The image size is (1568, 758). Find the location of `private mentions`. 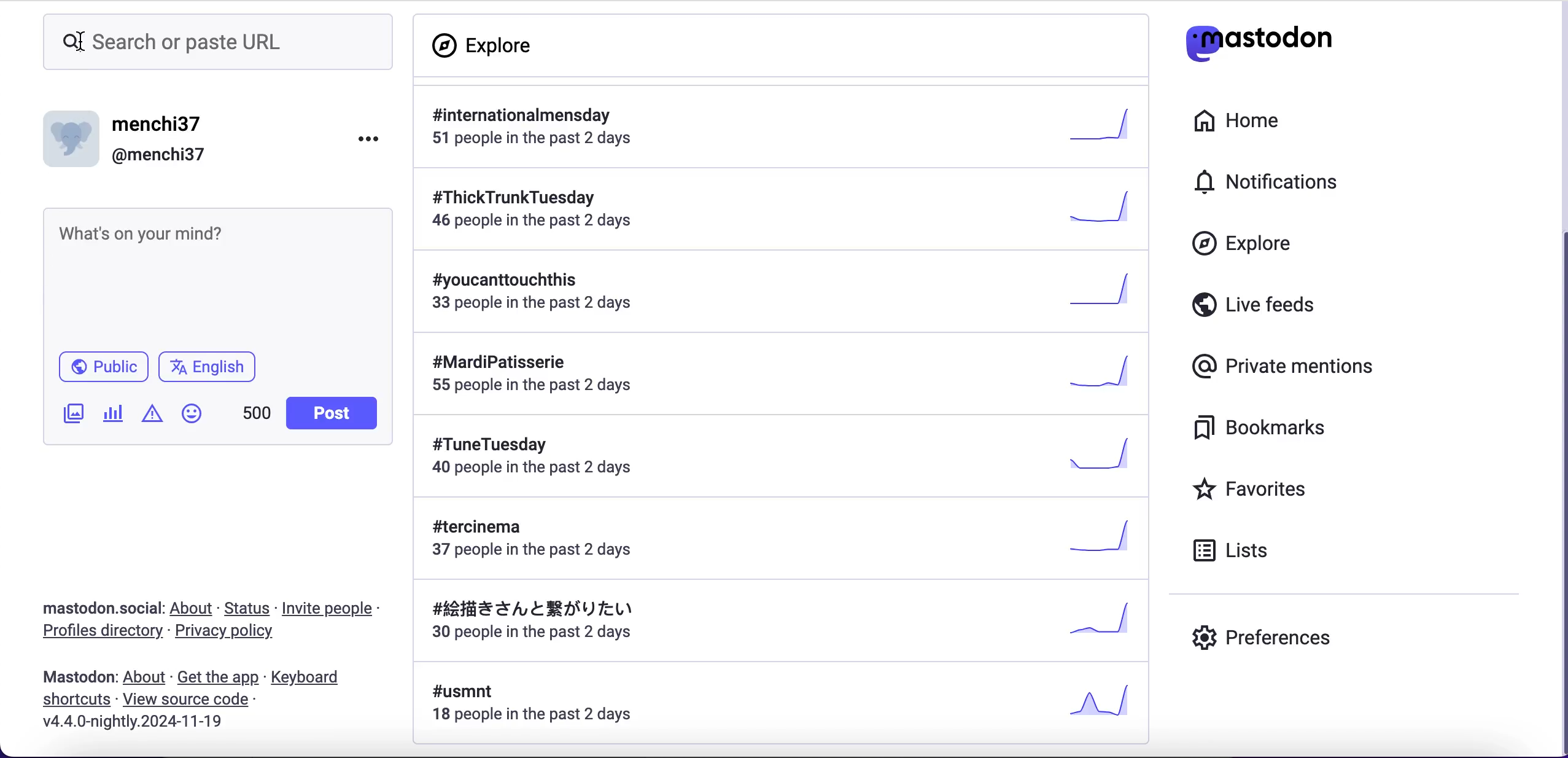

private mentions is located at coordinates (1284, 367).